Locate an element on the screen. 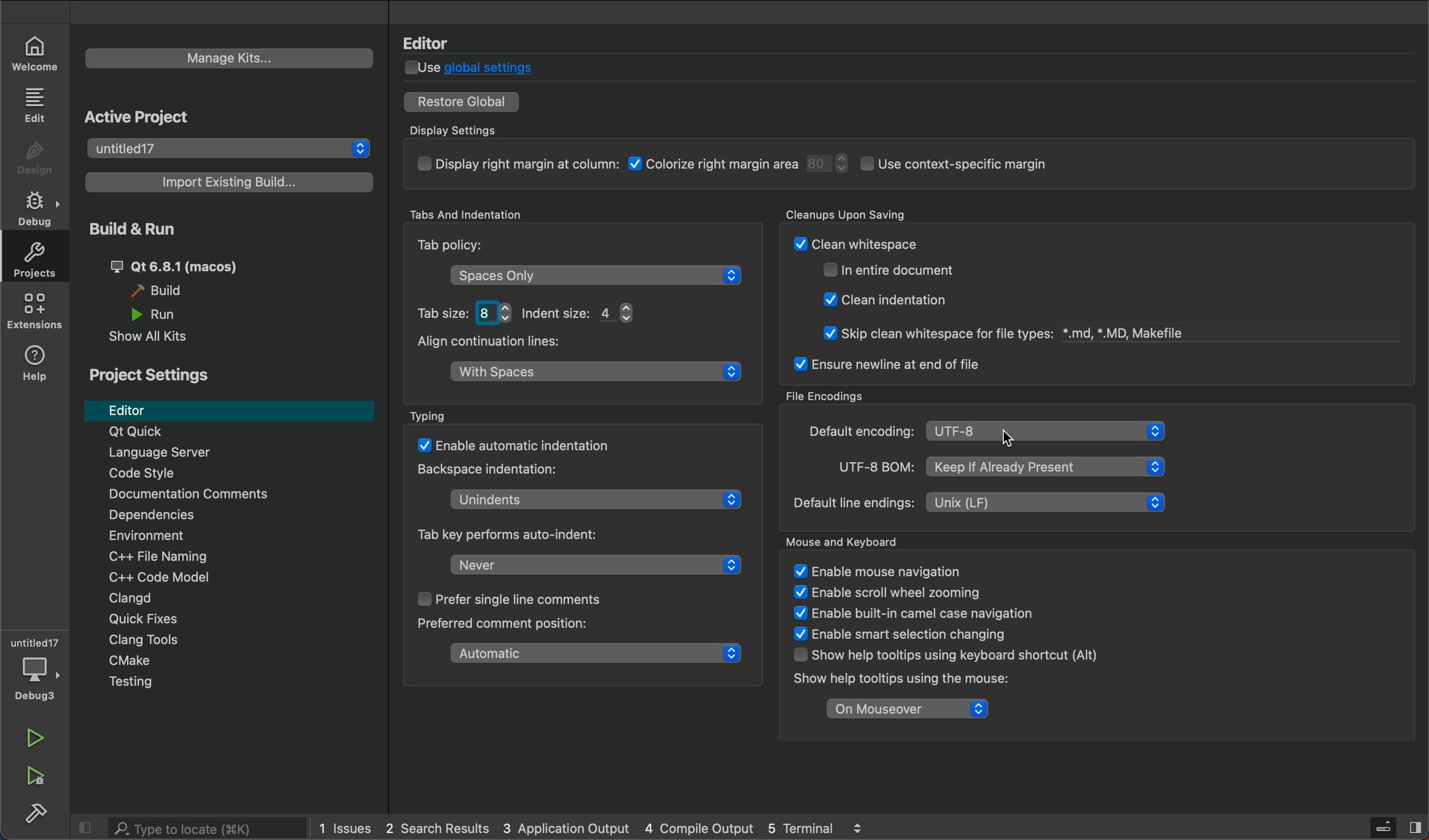  Build & Run is located at coordinates (144, 229).